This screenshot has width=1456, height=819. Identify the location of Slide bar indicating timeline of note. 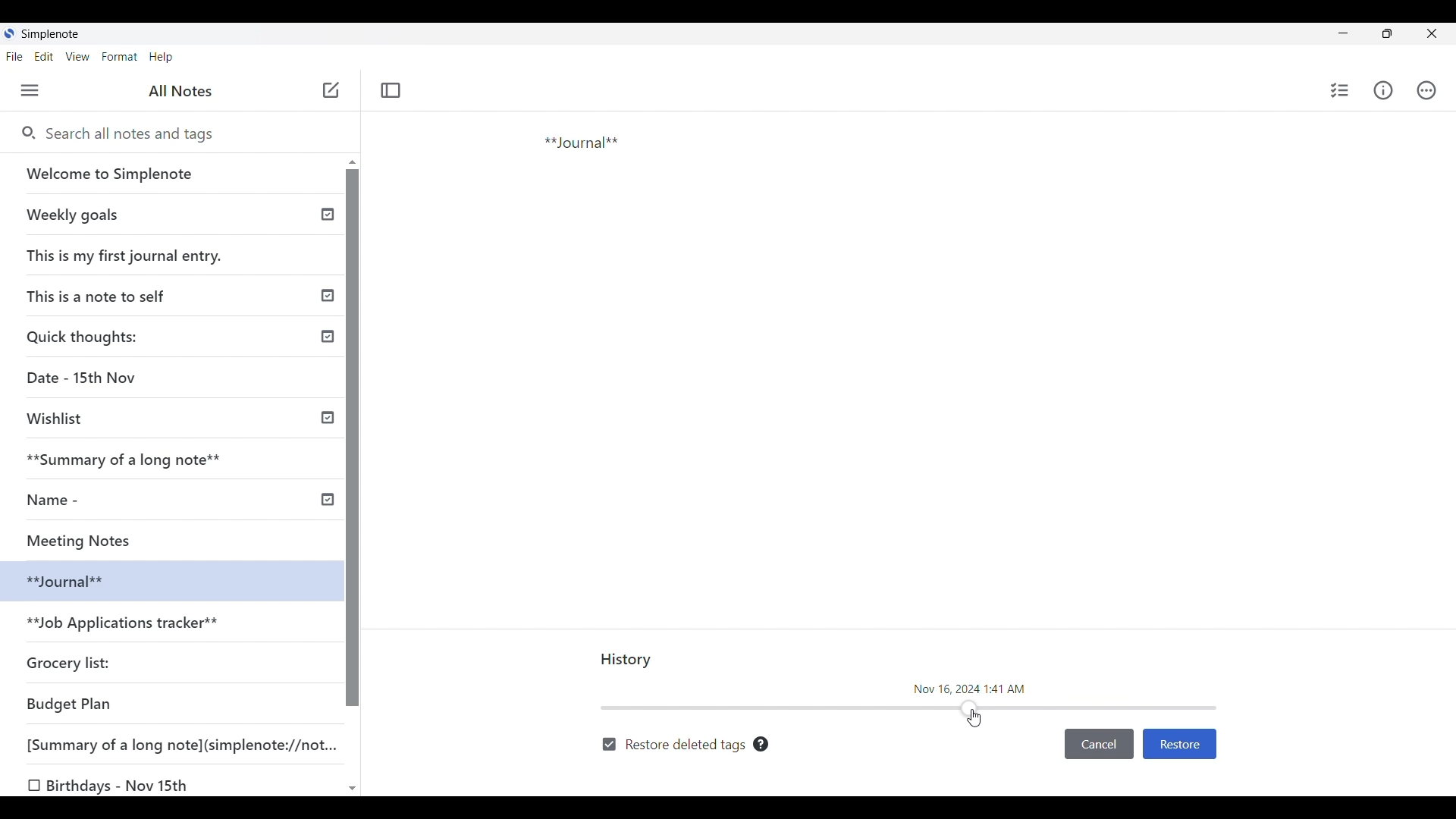
(910, 708).